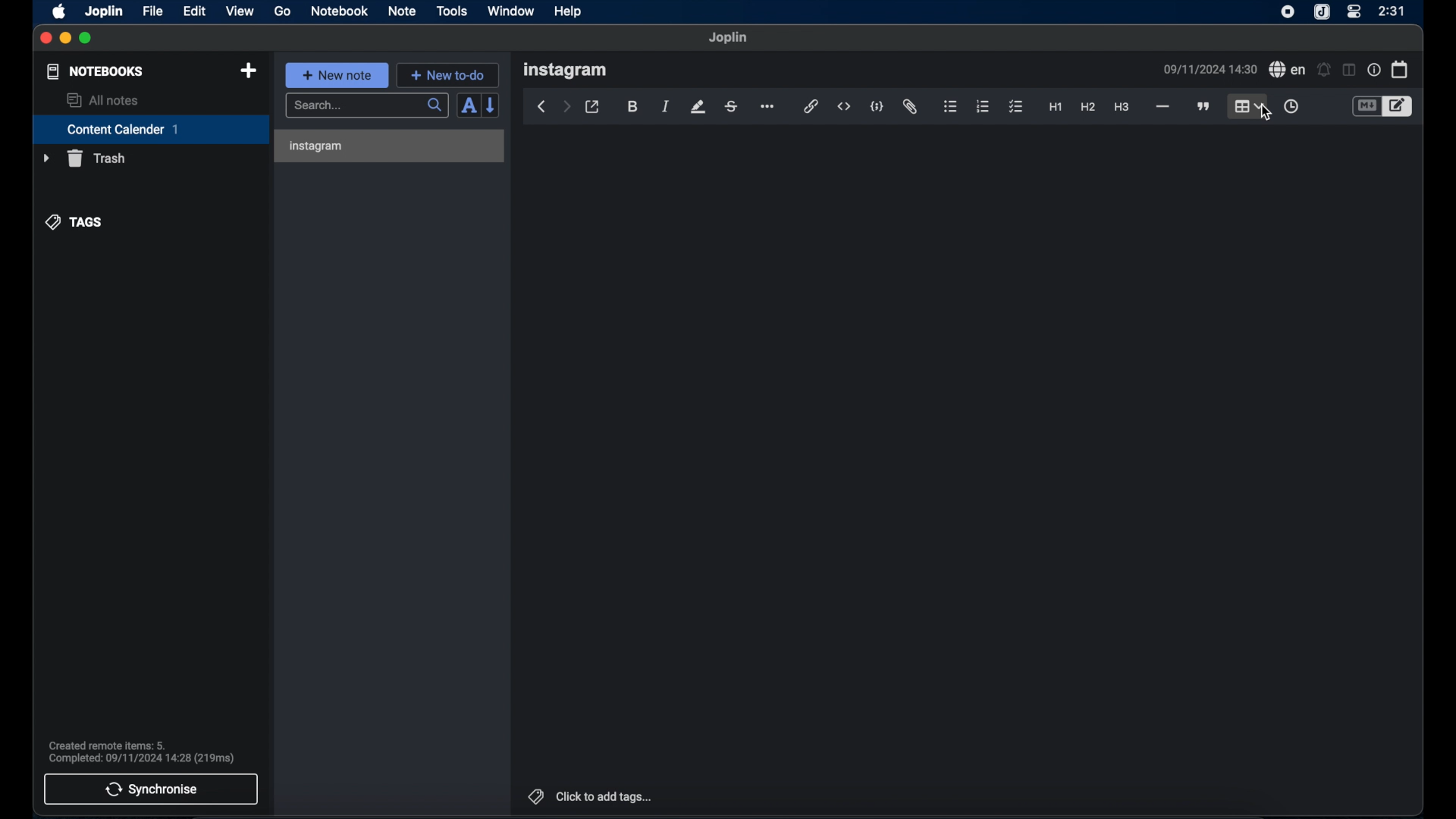 This screenshot has width=1456, height=819. What do you see at coordinates (1203, 106) in the screenshot?
I see `block quote` at bounding box center [1203, 106].